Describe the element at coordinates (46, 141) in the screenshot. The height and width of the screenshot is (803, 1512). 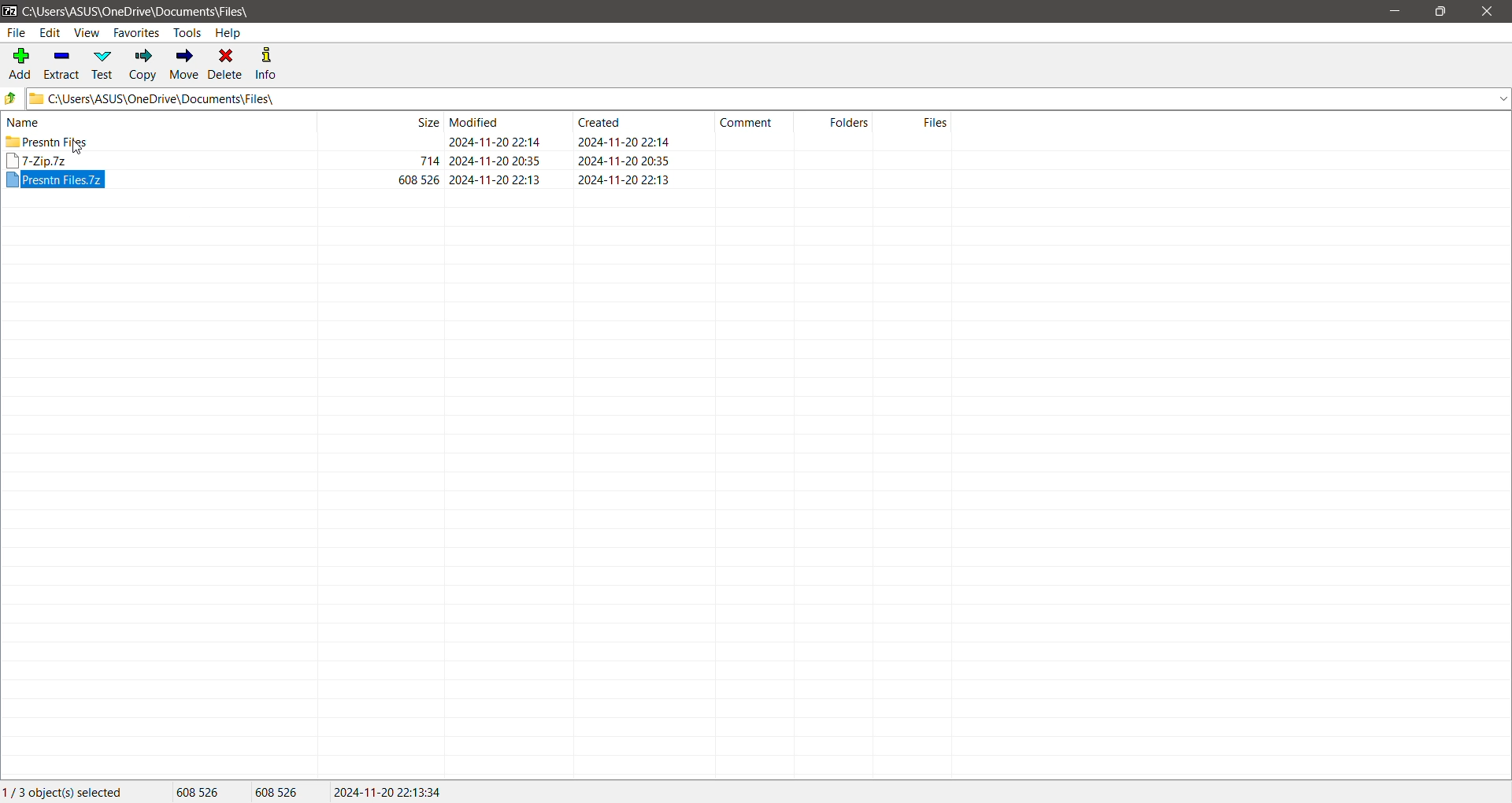
I see `Extracted Folder` at that location.